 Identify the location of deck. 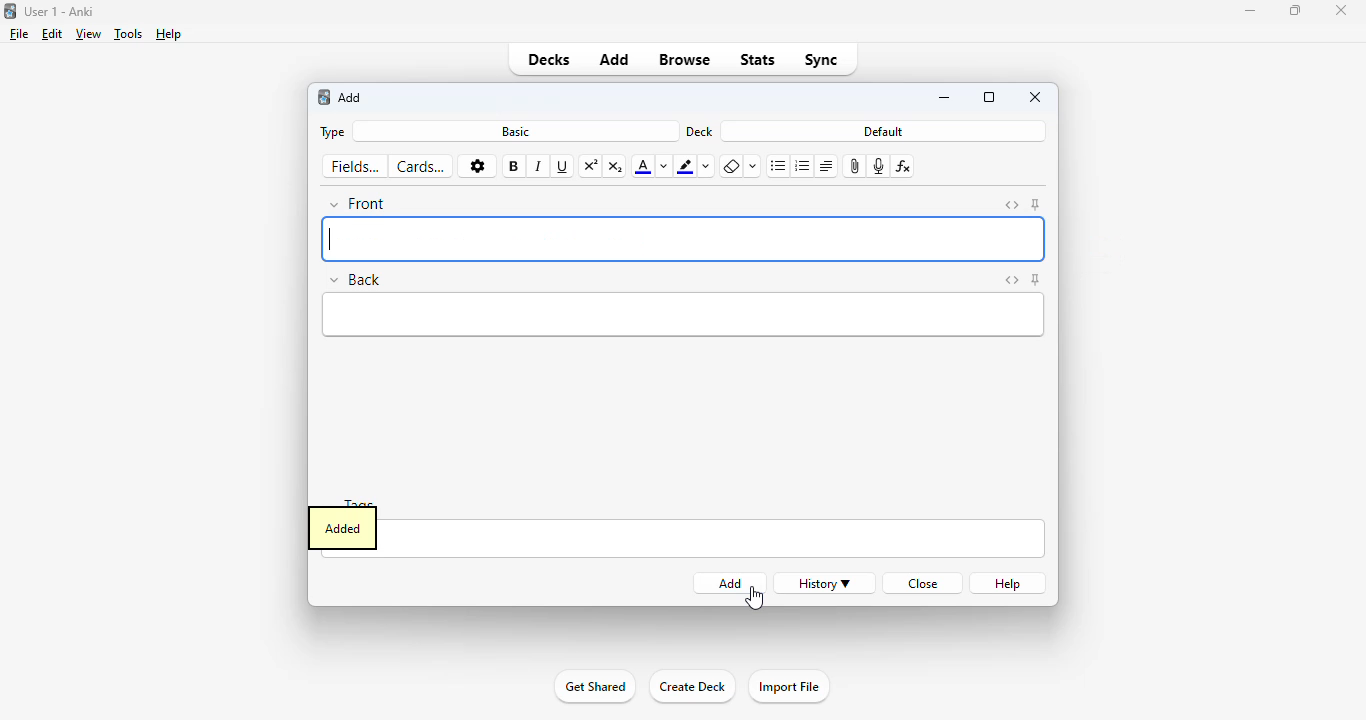
(700, 131).